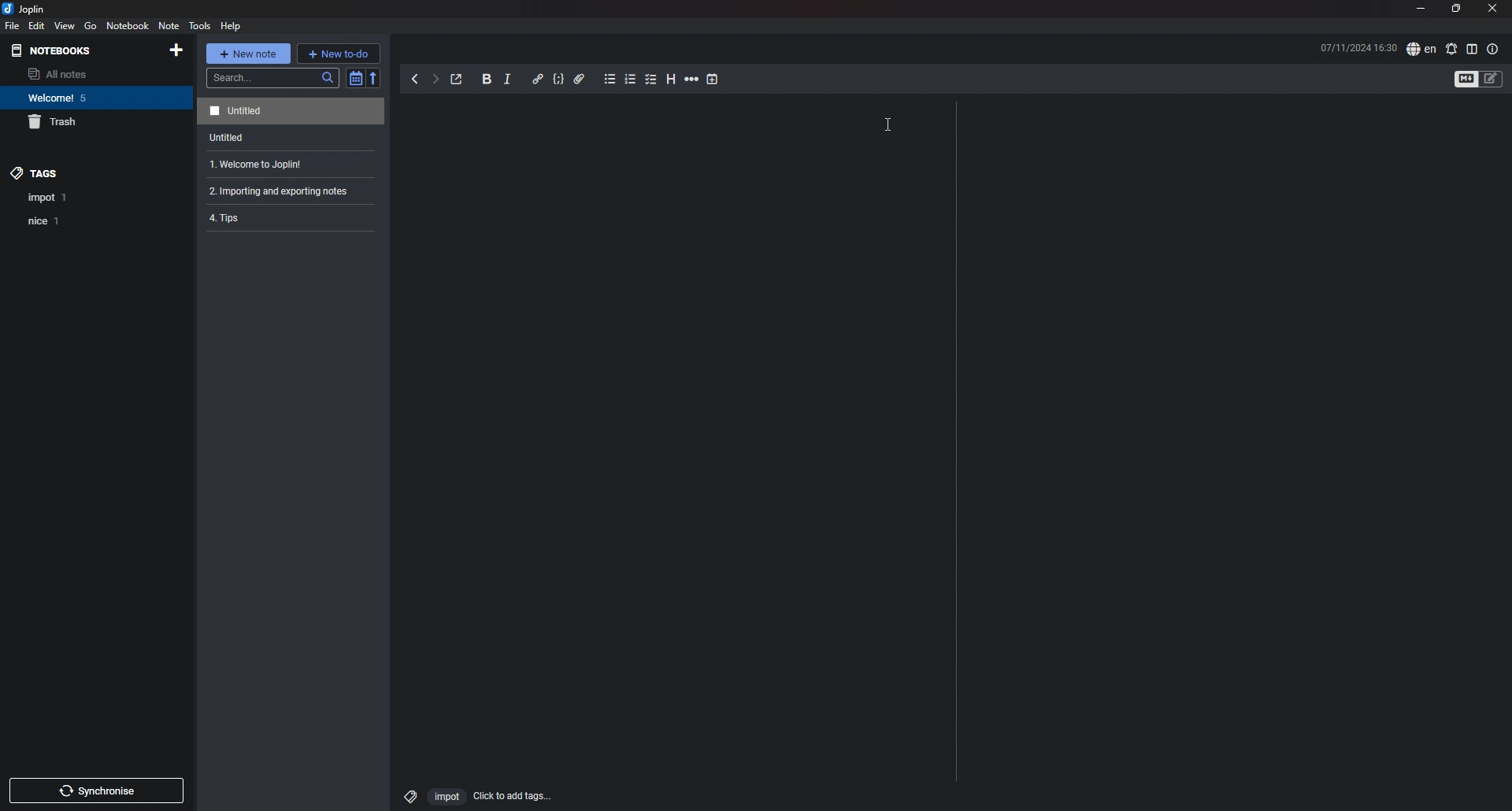 The image size is (1512, 811). What do you see at coordinates (231, 26) in the screenshot?
I see `HELP` at bounding box center [231, 26].